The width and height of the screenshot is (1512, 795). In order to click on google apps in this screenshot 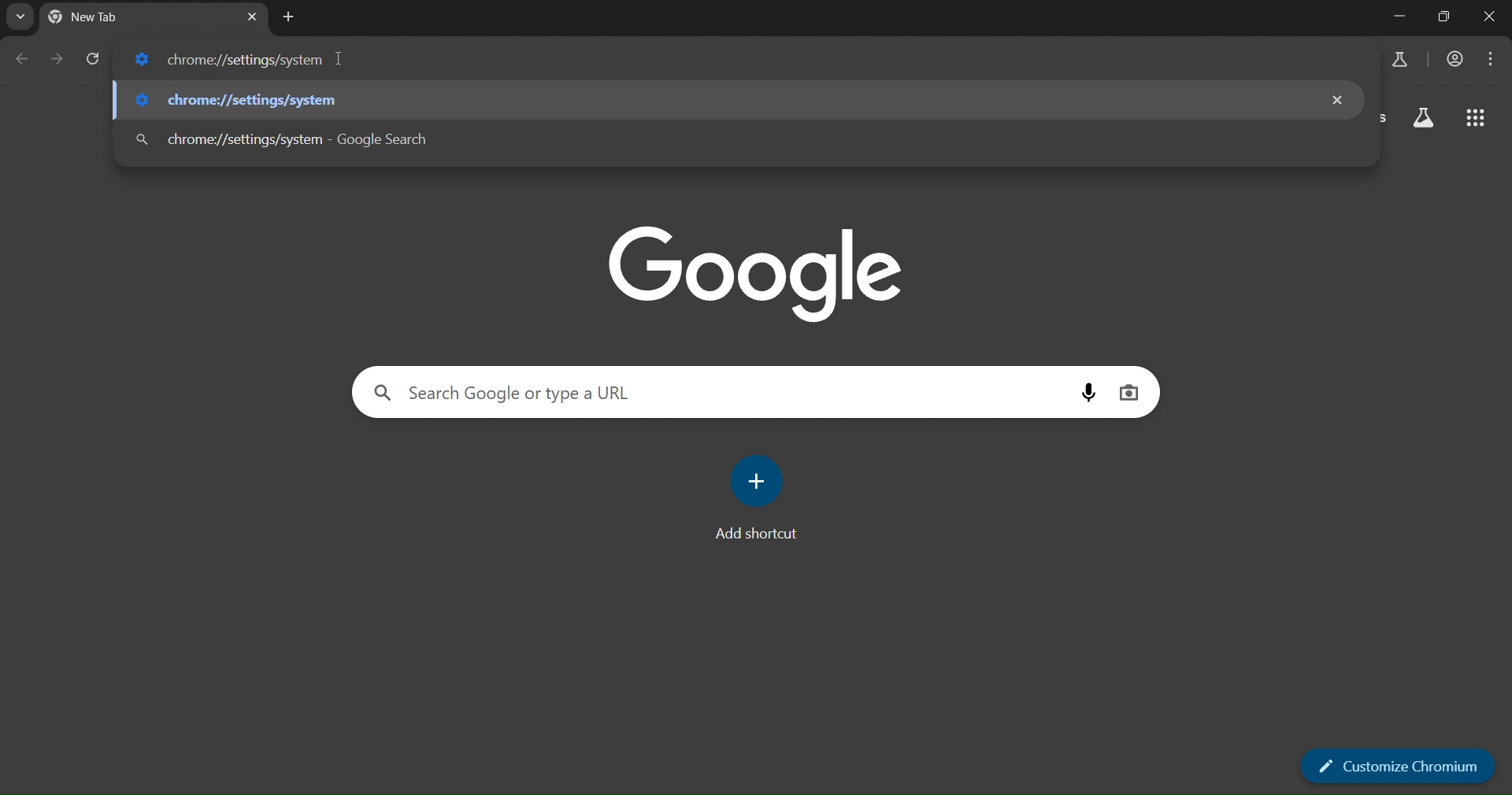, I will do `click(1479, 118)`.